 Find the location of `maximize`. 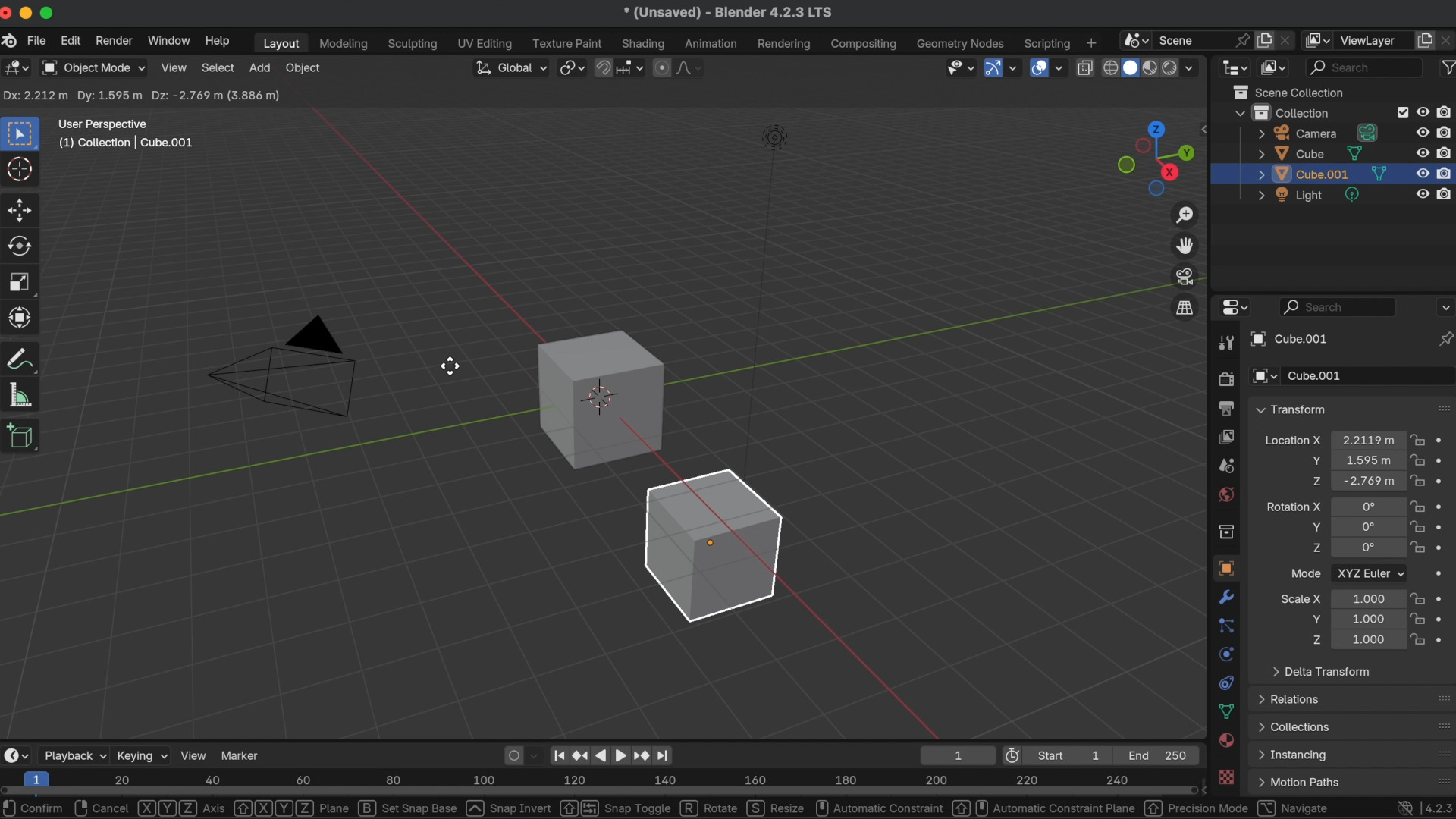

maximize is located at coordinates (49, 12).